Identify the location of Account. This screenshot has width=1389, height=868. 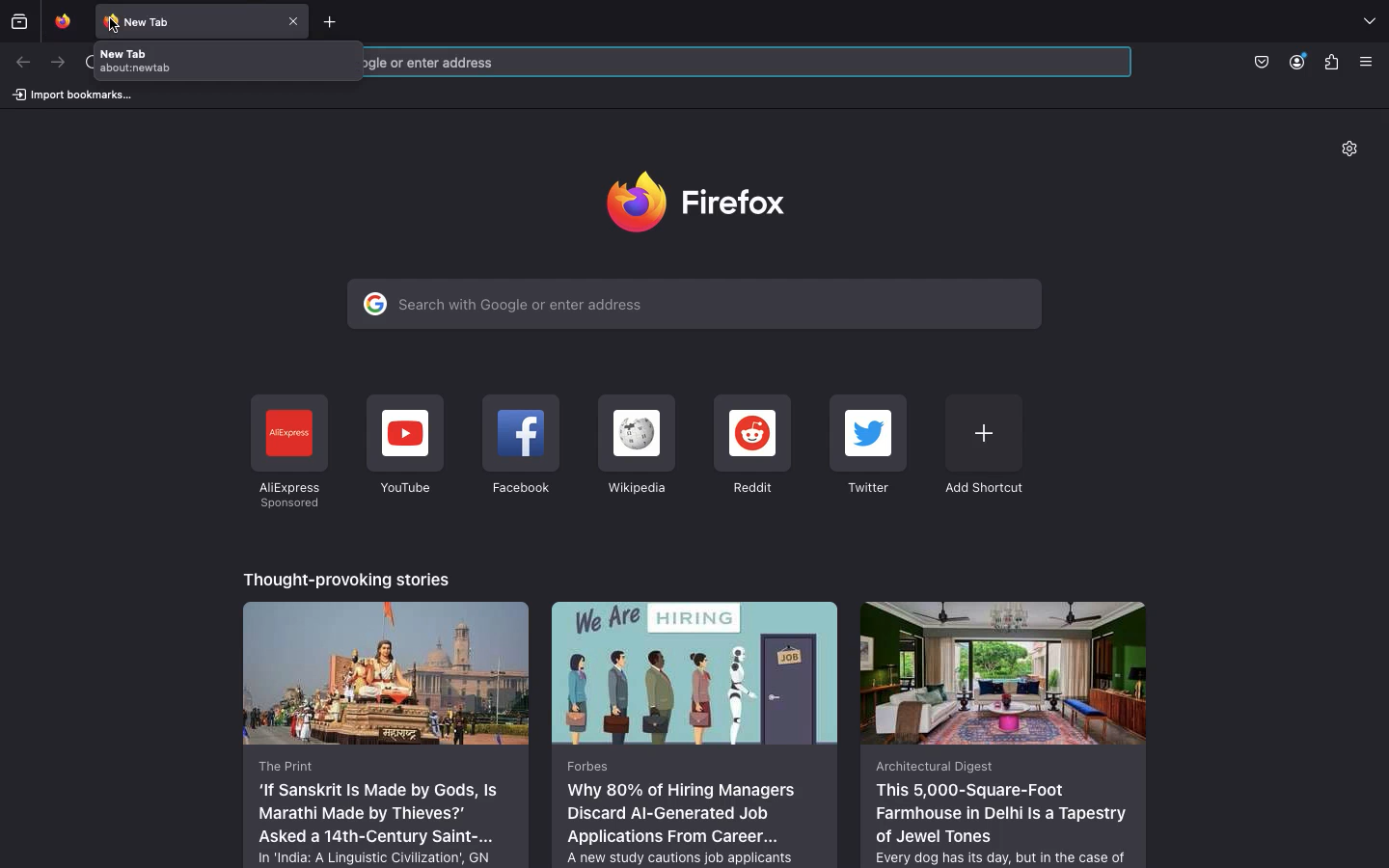
(1299, 62).